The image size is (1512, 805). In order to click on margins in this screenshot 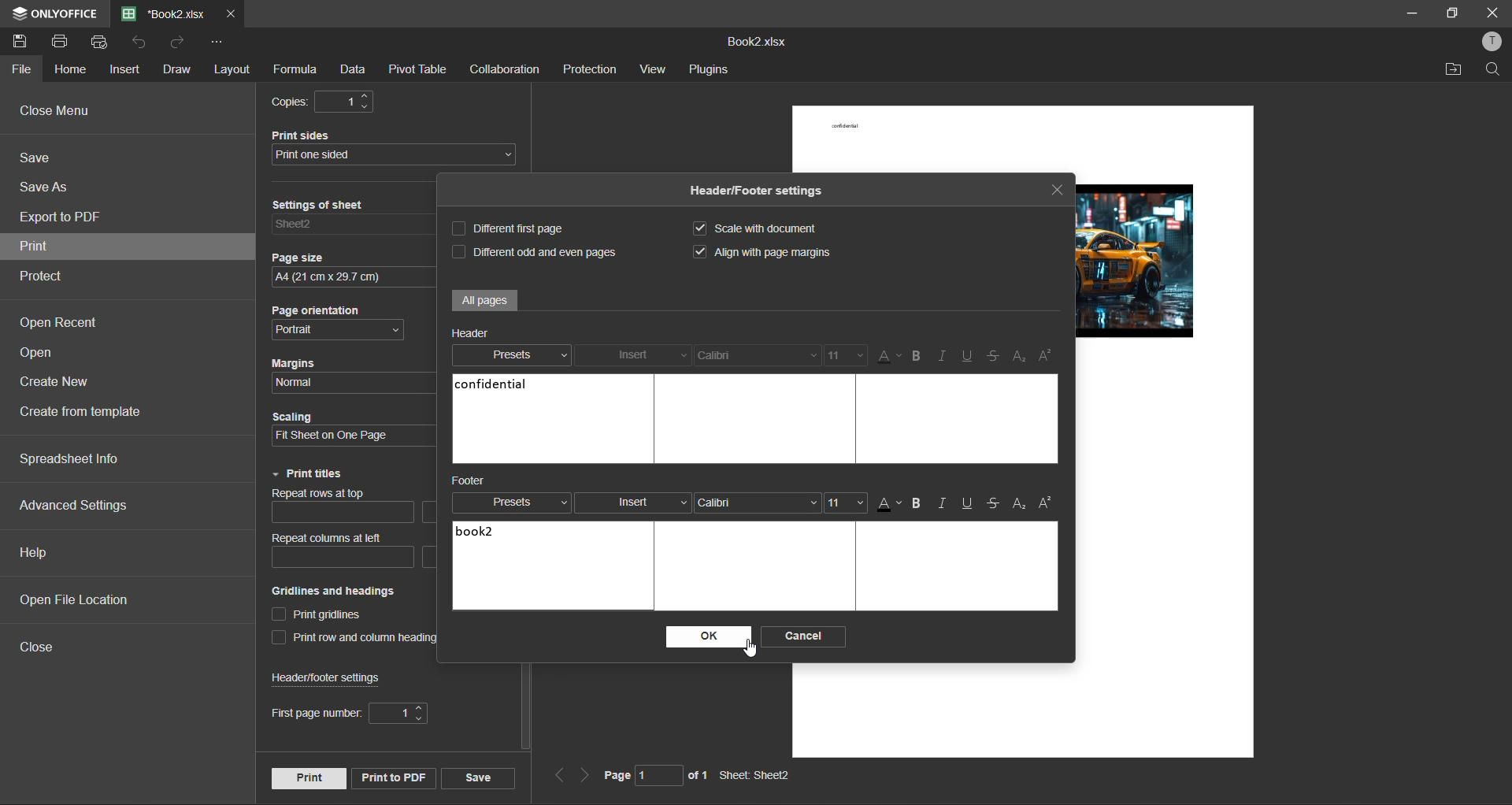, I will do `click(350, 383)`.